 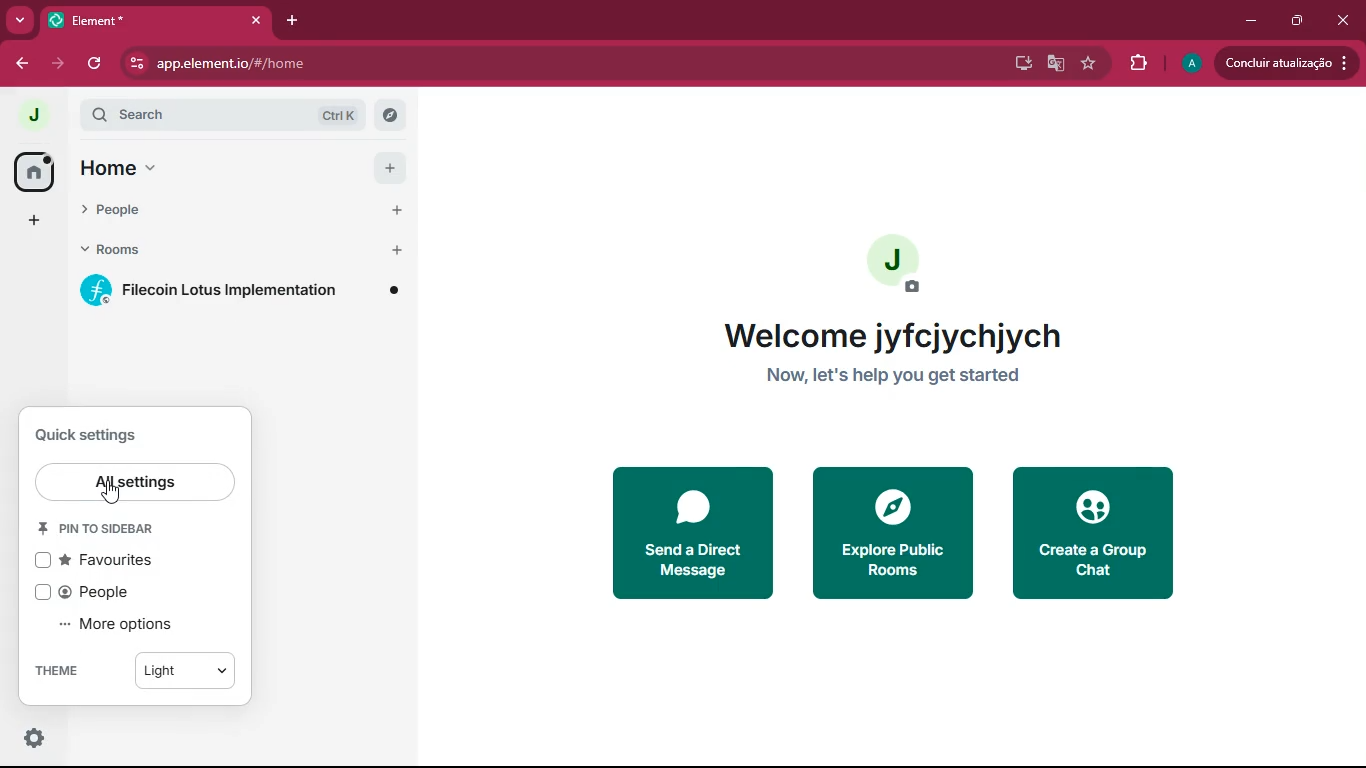 I want to click on welcome jyfcjychjych, so click(x=892, y=336).